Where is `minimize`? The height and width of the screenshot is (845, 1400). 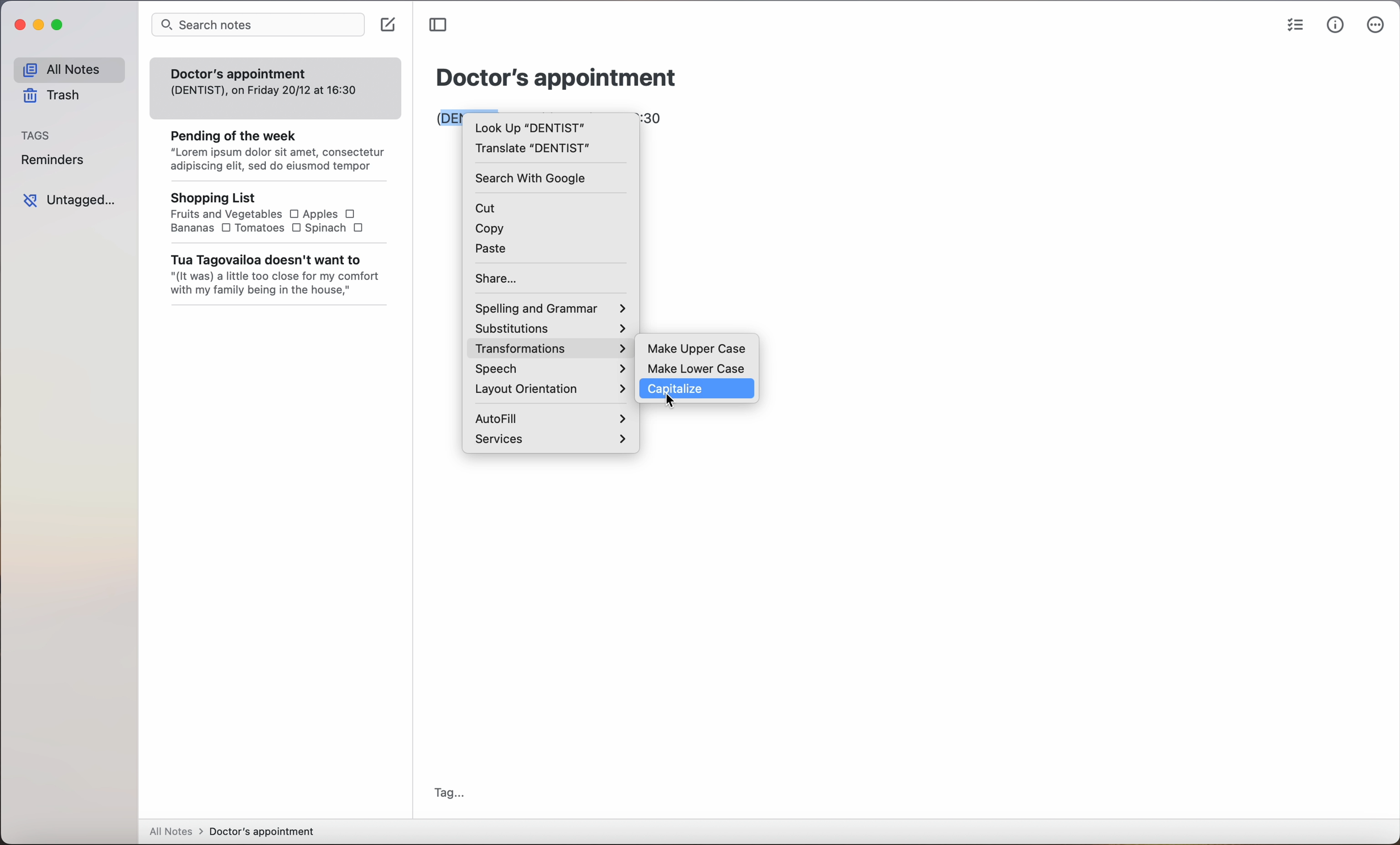
minimize is located at coordinates (39, 25).